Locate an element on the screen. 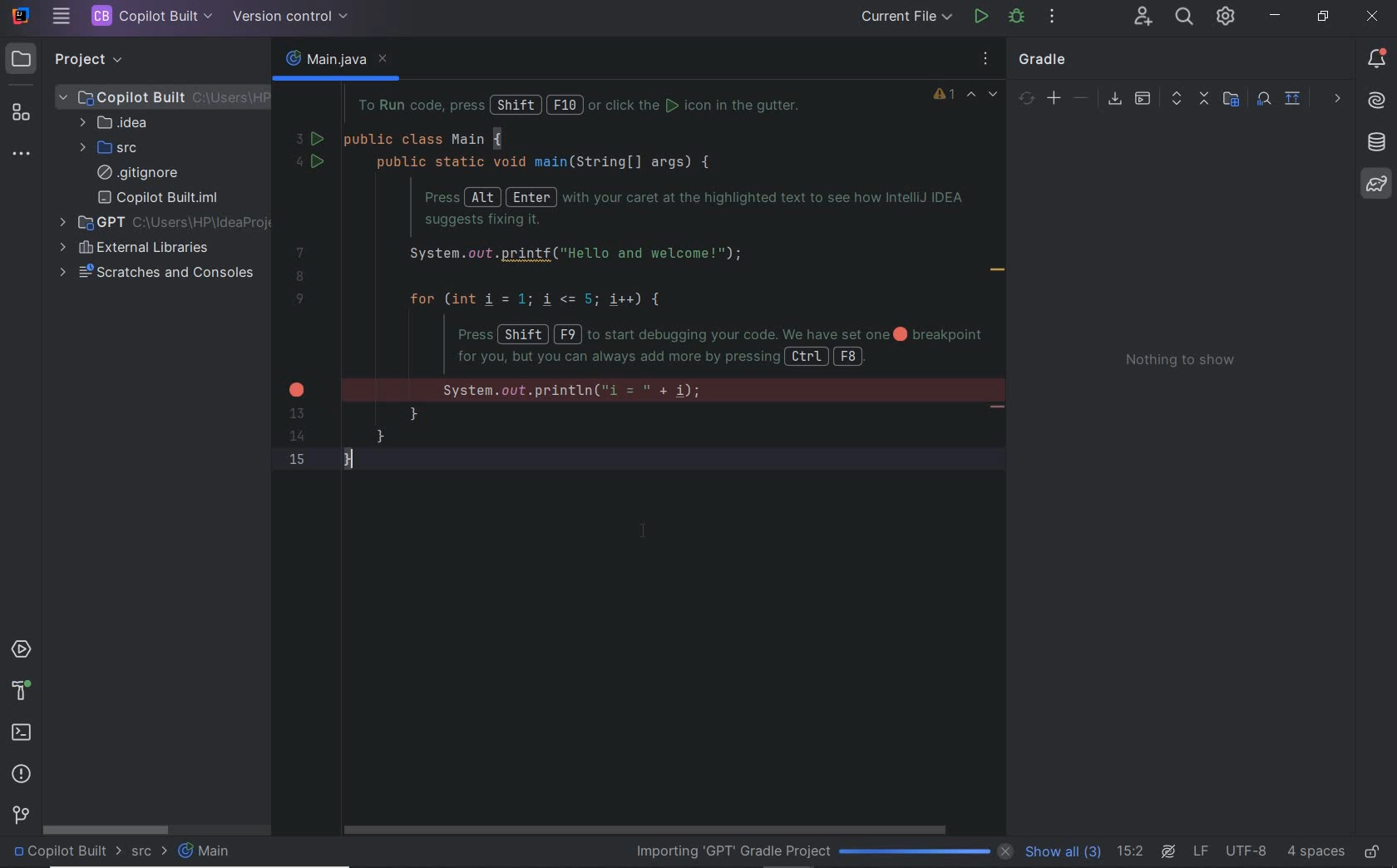  download sources is located at coordinates (1116, 98).